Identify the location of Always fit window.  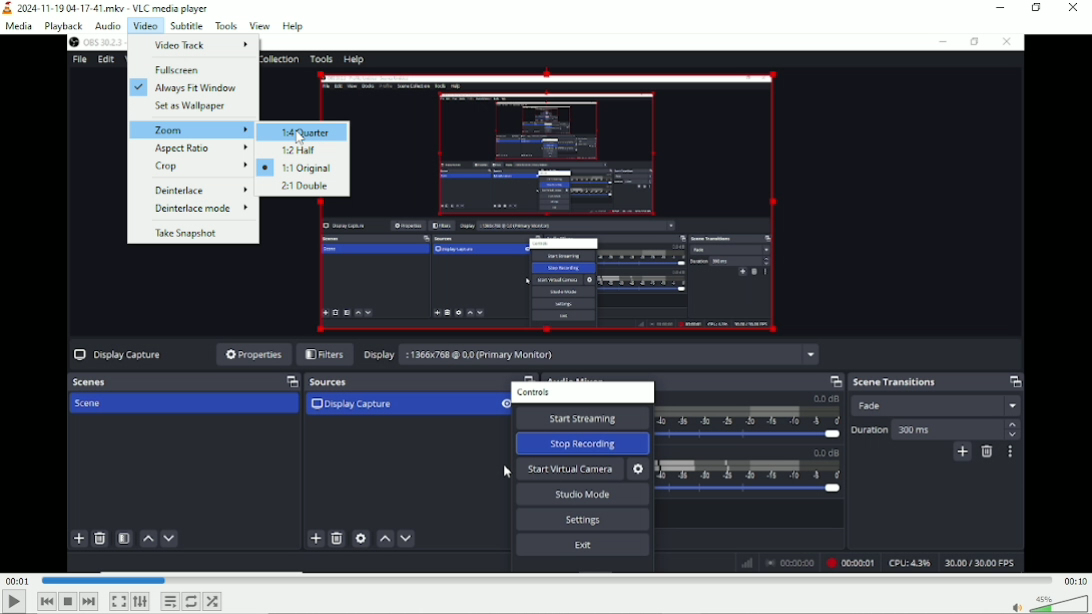
(192, 89).